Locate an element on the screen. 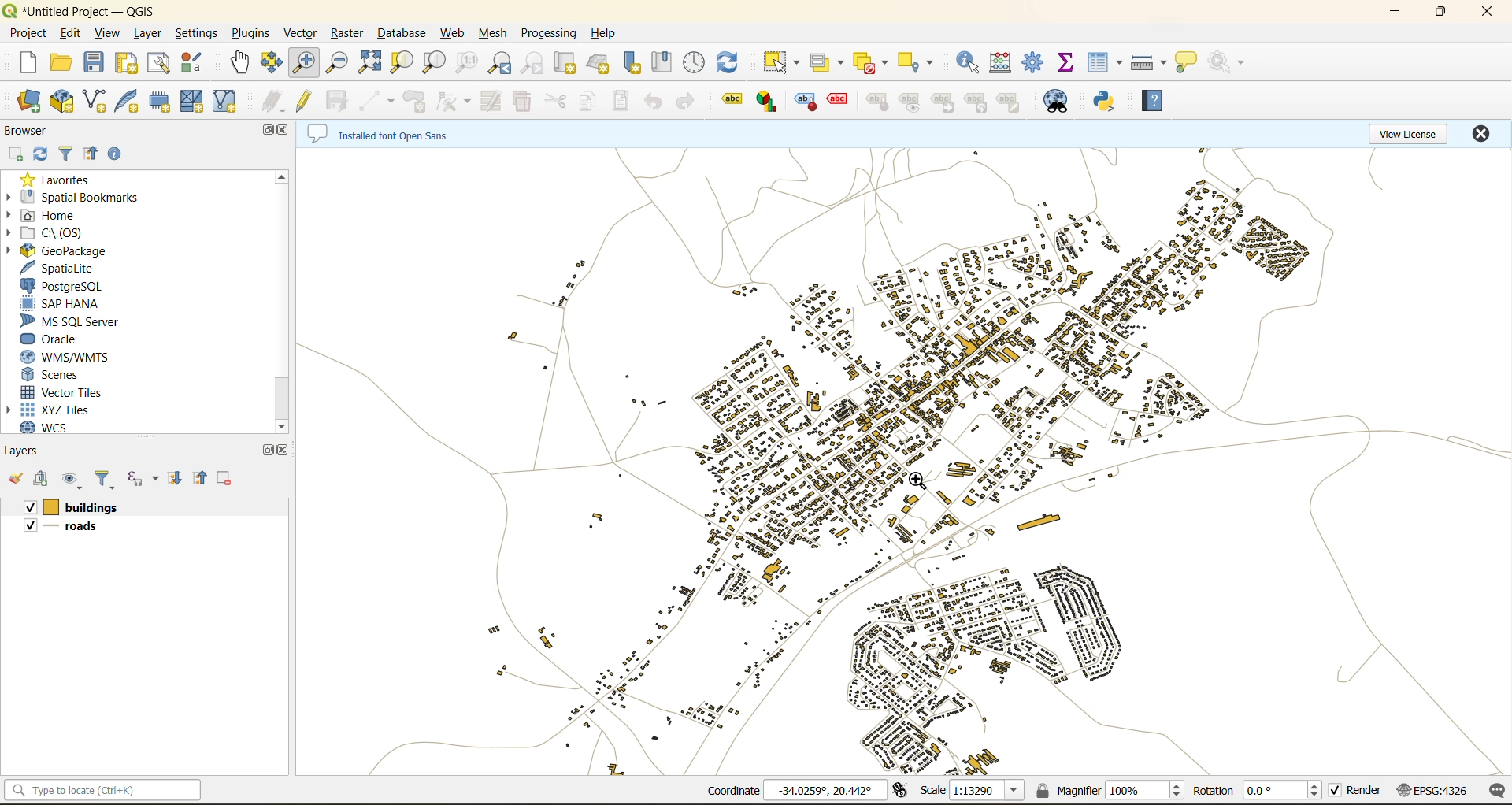 The height and width of the screenshot is (805, 1512). redo is located at coordinates (684, 103).